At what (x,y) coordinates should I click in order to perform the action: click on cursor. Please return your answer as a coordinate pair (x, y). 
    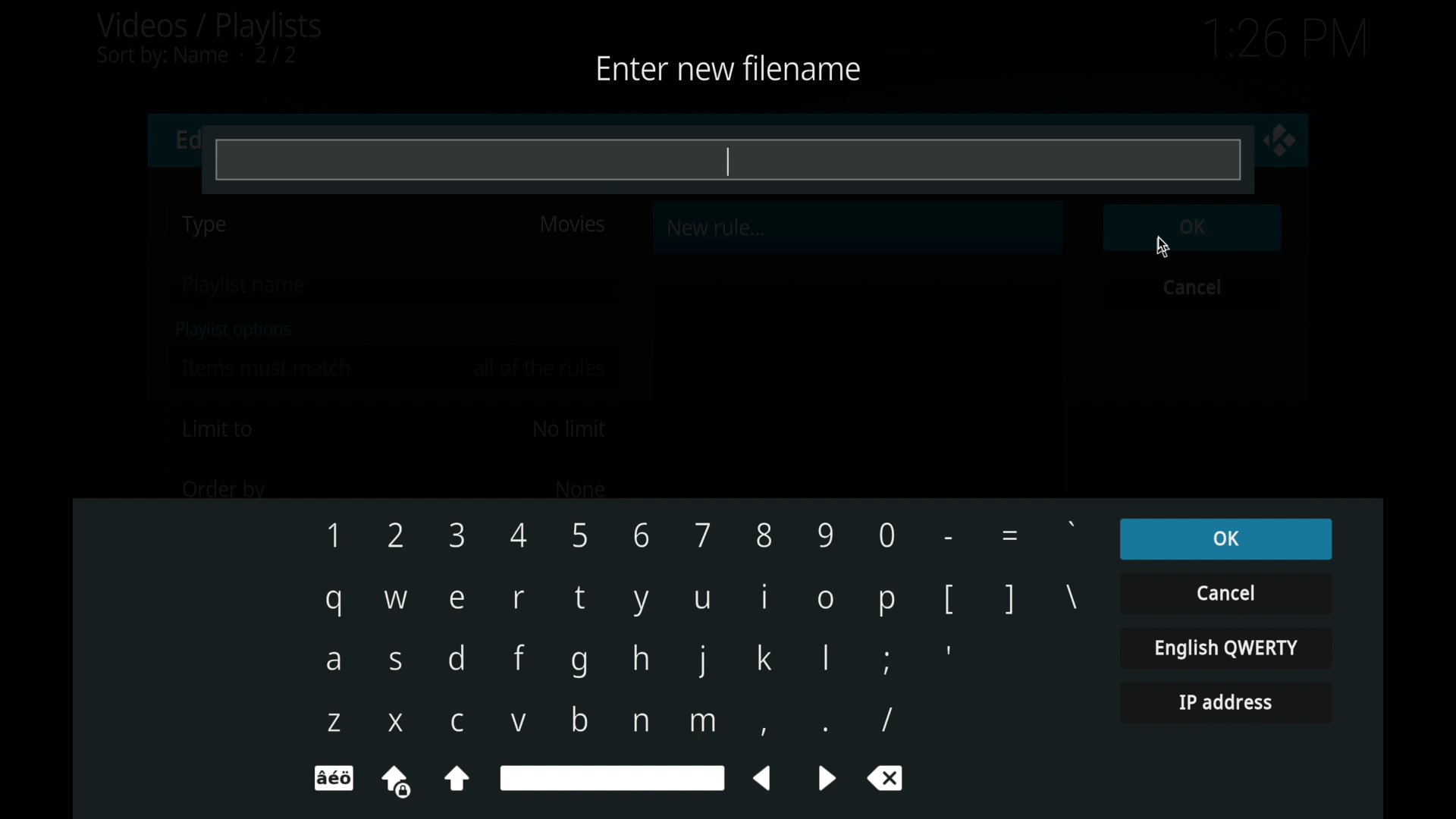
    Looking at the image, I should click on (1163, 247).